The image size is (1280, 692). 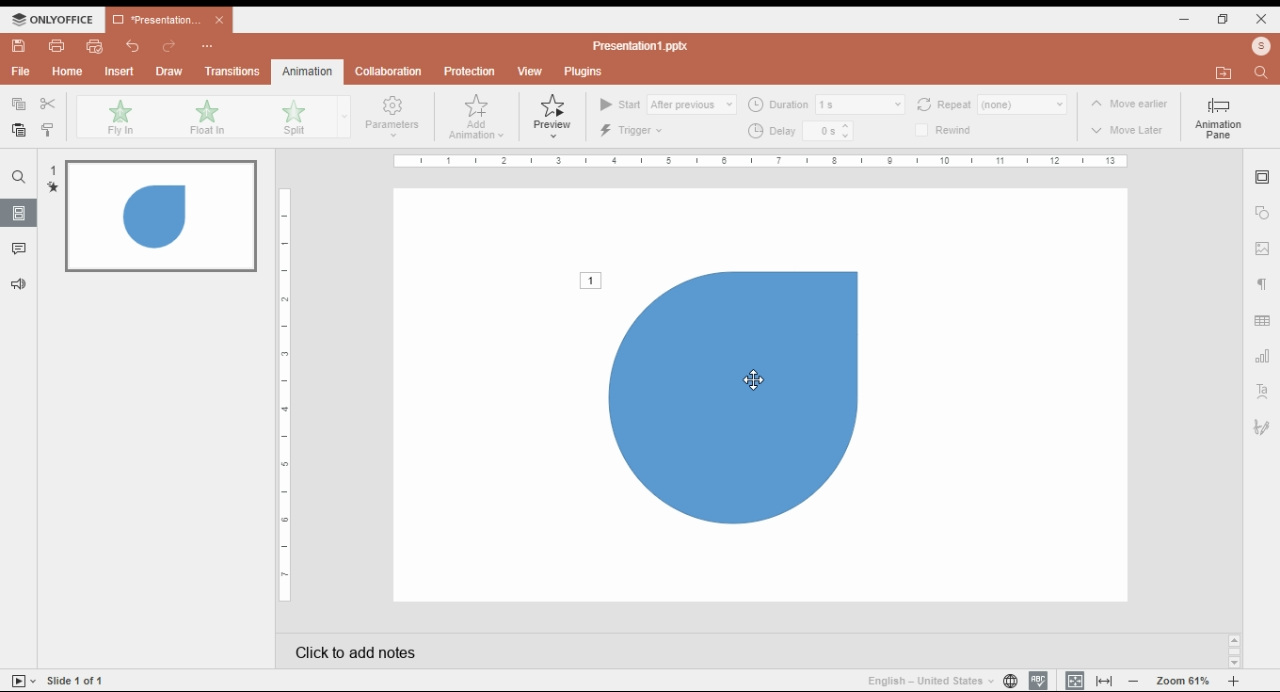 I want to click on fit to slide, so click(x=1075, y=681).